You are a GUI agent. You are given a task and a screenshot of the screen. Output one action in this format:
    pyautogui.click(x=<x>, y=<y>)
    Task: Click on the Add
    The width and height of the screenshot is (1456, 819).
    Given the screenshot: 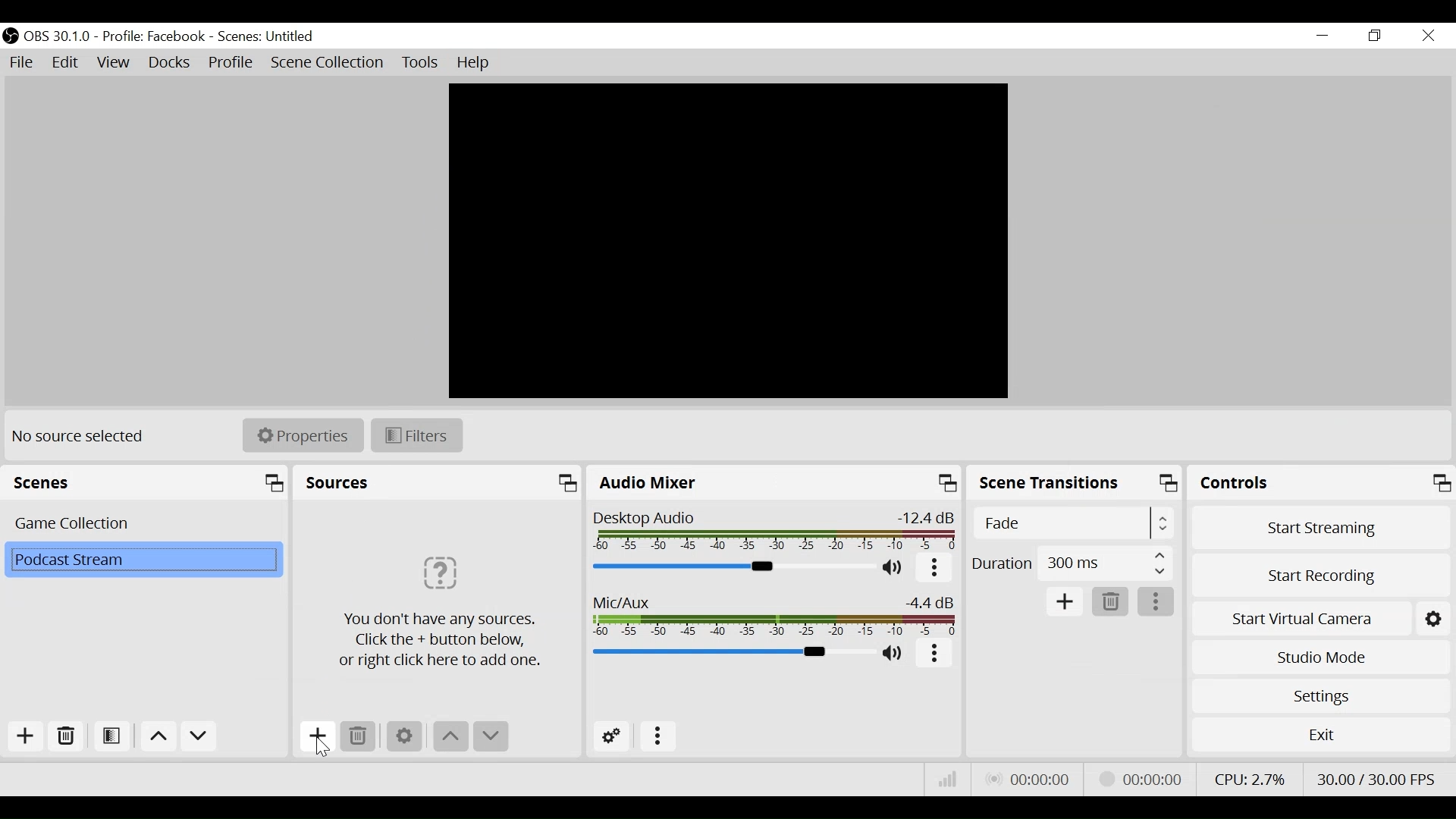 What is the action you would take?
    pyautogui.click(x=1066, y=601)
    